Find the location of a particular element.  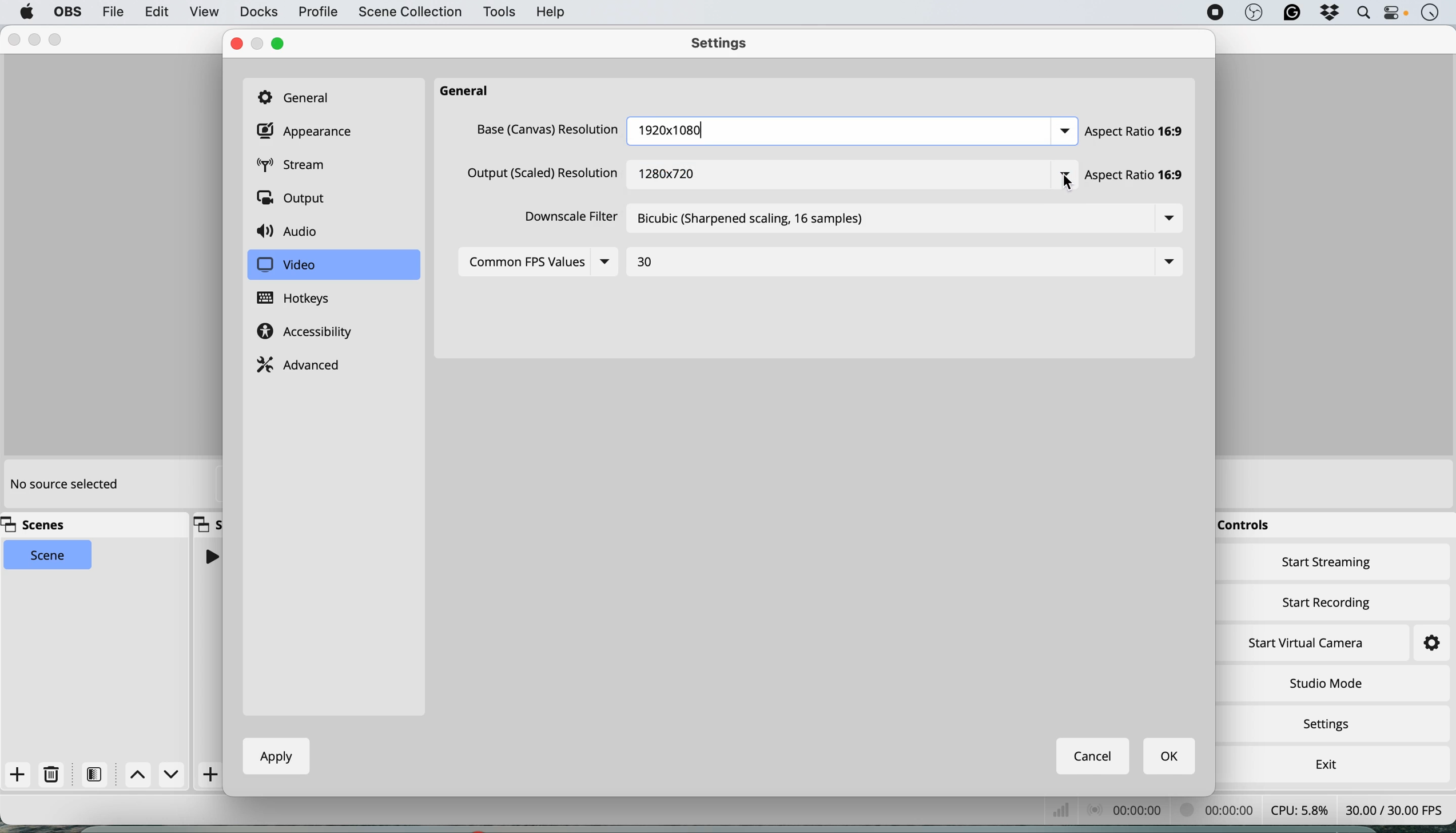

cursor is located at coordinates (1052, 182).